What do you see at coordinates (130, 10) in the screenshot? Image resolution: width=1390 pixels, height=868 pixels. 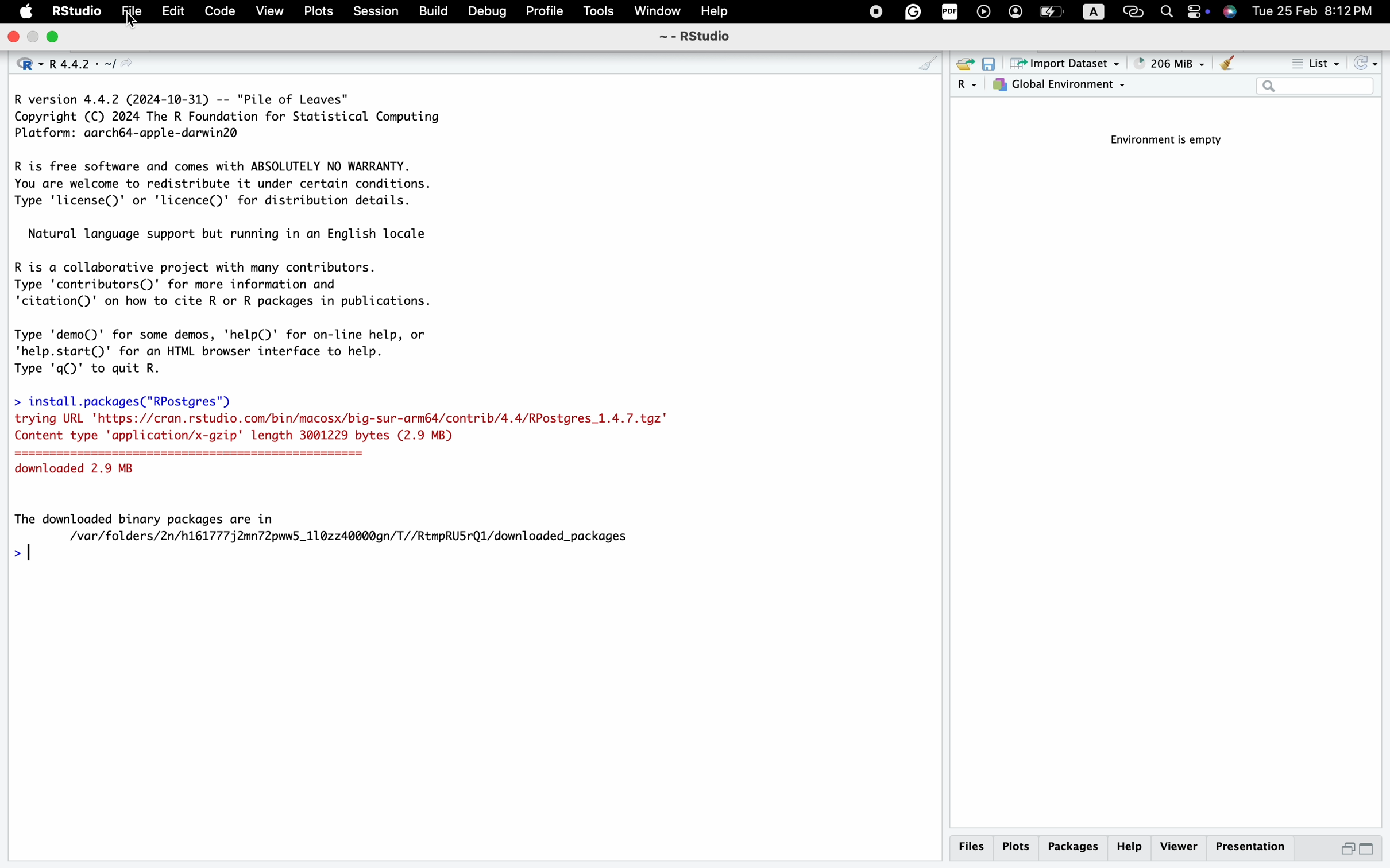 I see `file` at bounding box center [130, 10].